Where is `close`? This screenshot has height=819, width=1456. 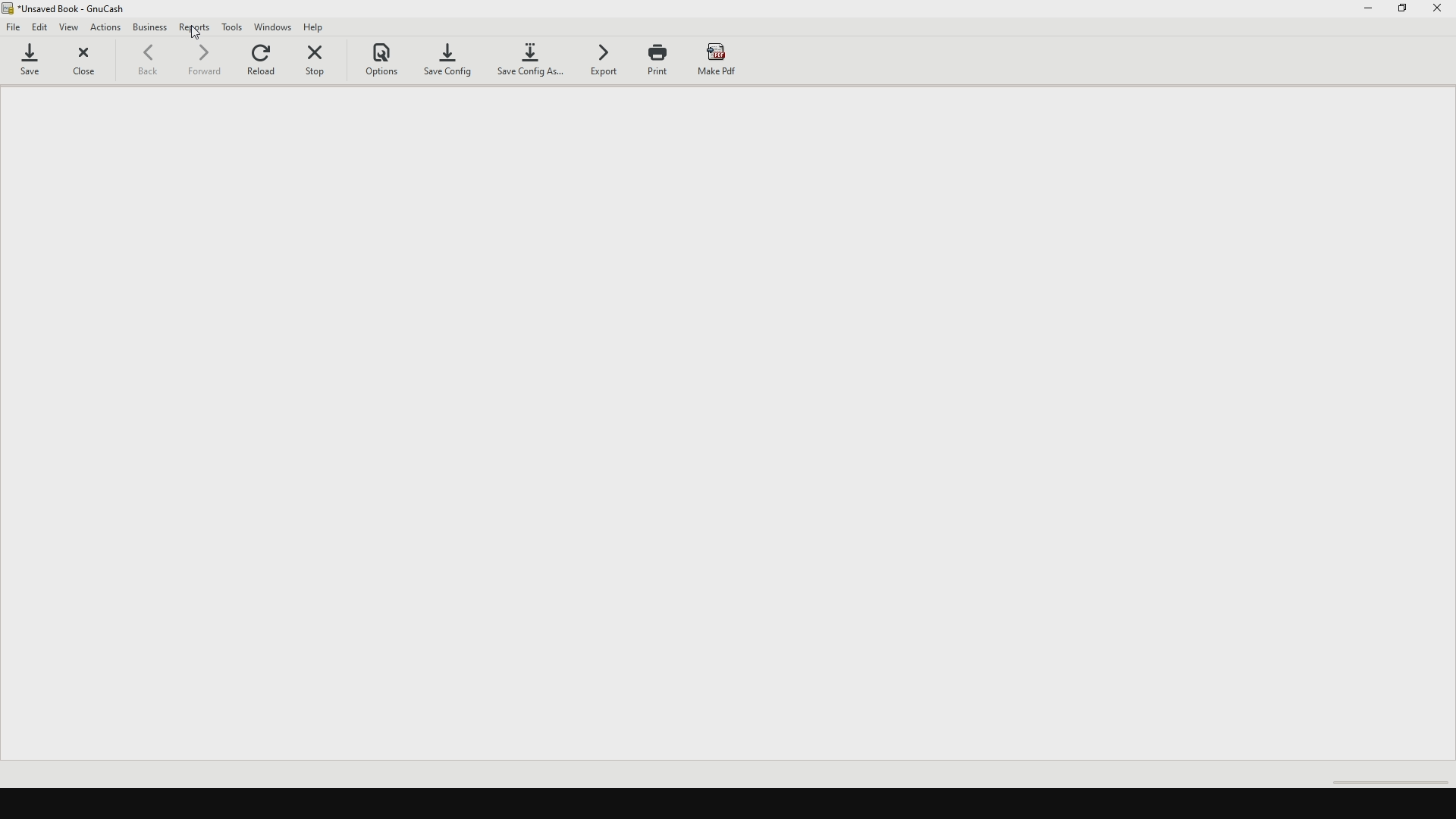 close is located at coordinates (1439, 12).